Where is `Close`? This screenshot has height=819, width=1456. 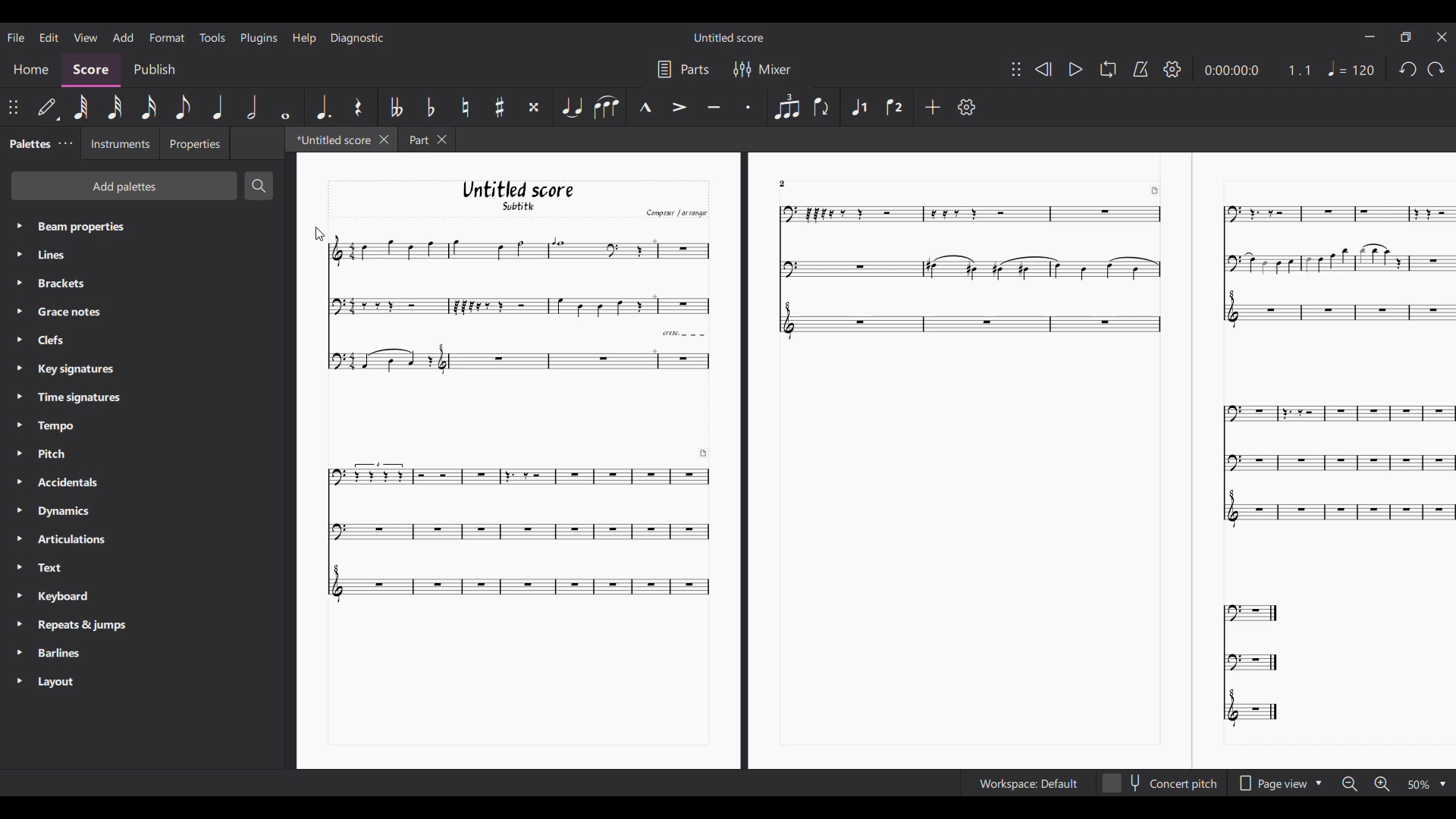
Close is located at coordinates (444, 140).